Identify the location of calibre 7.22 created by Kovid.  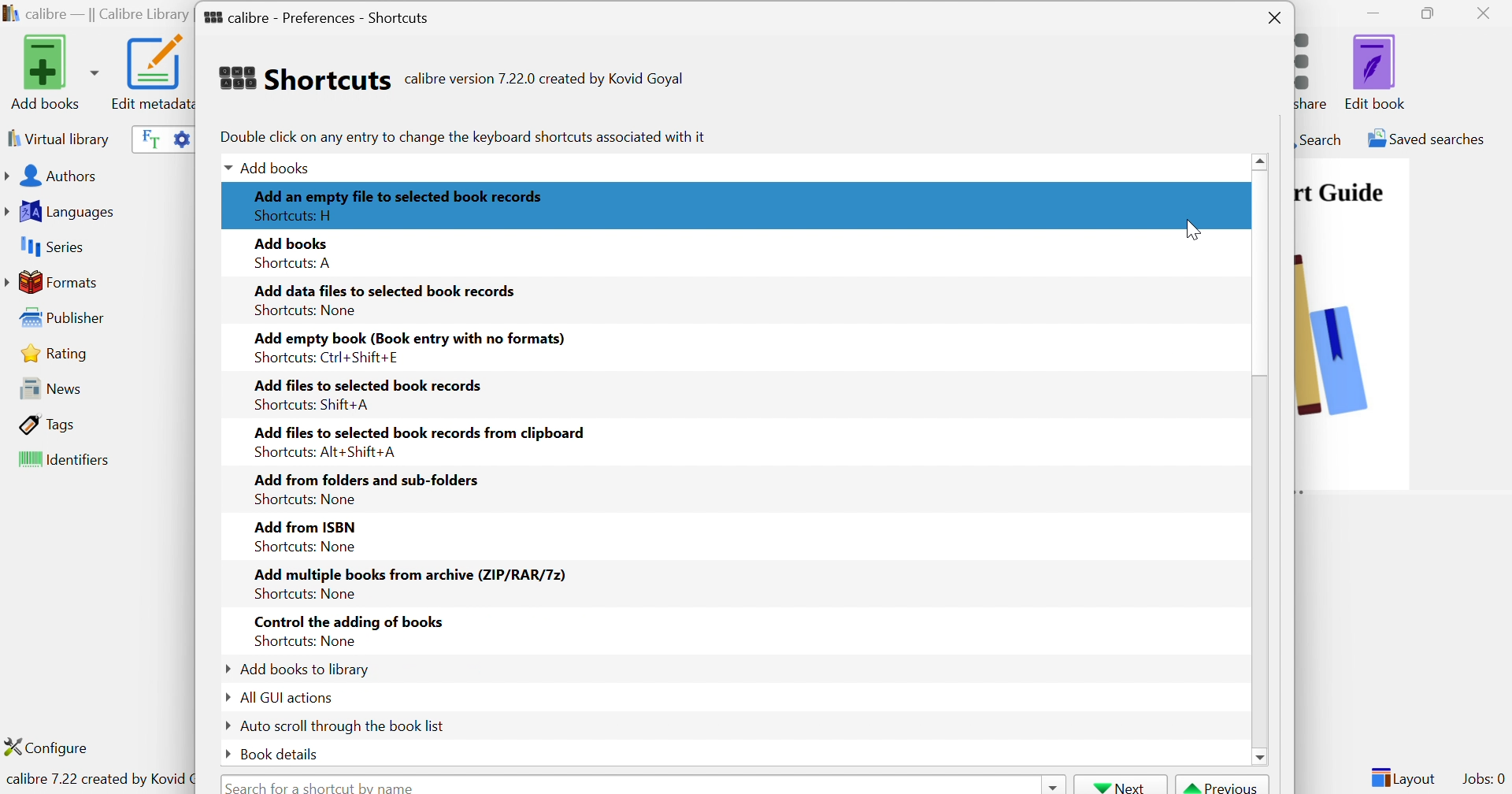
(97, 781).